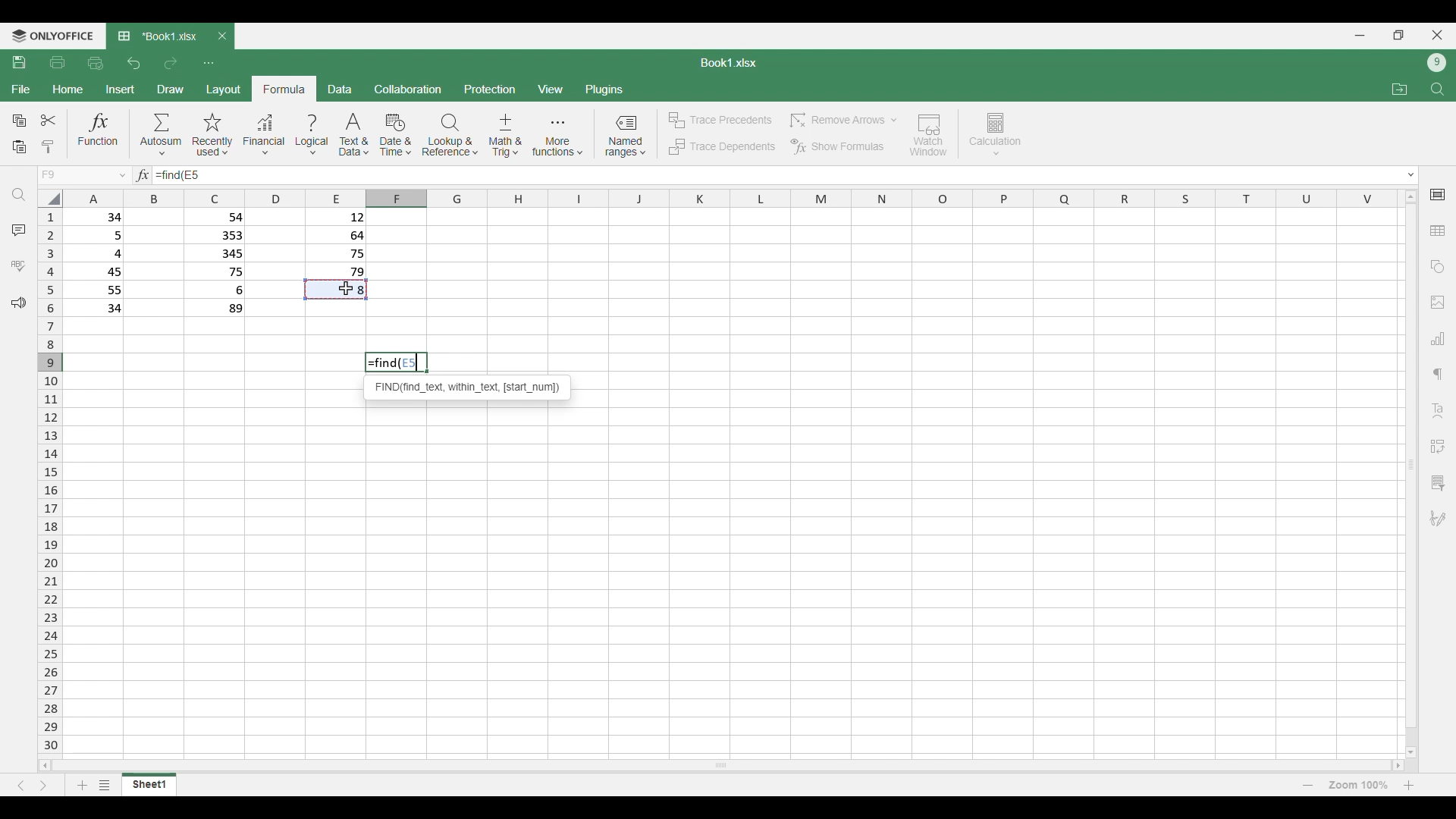 This screenshot has width=1456, height=819. I want to click on Click to select all cells, so click(49, 198).